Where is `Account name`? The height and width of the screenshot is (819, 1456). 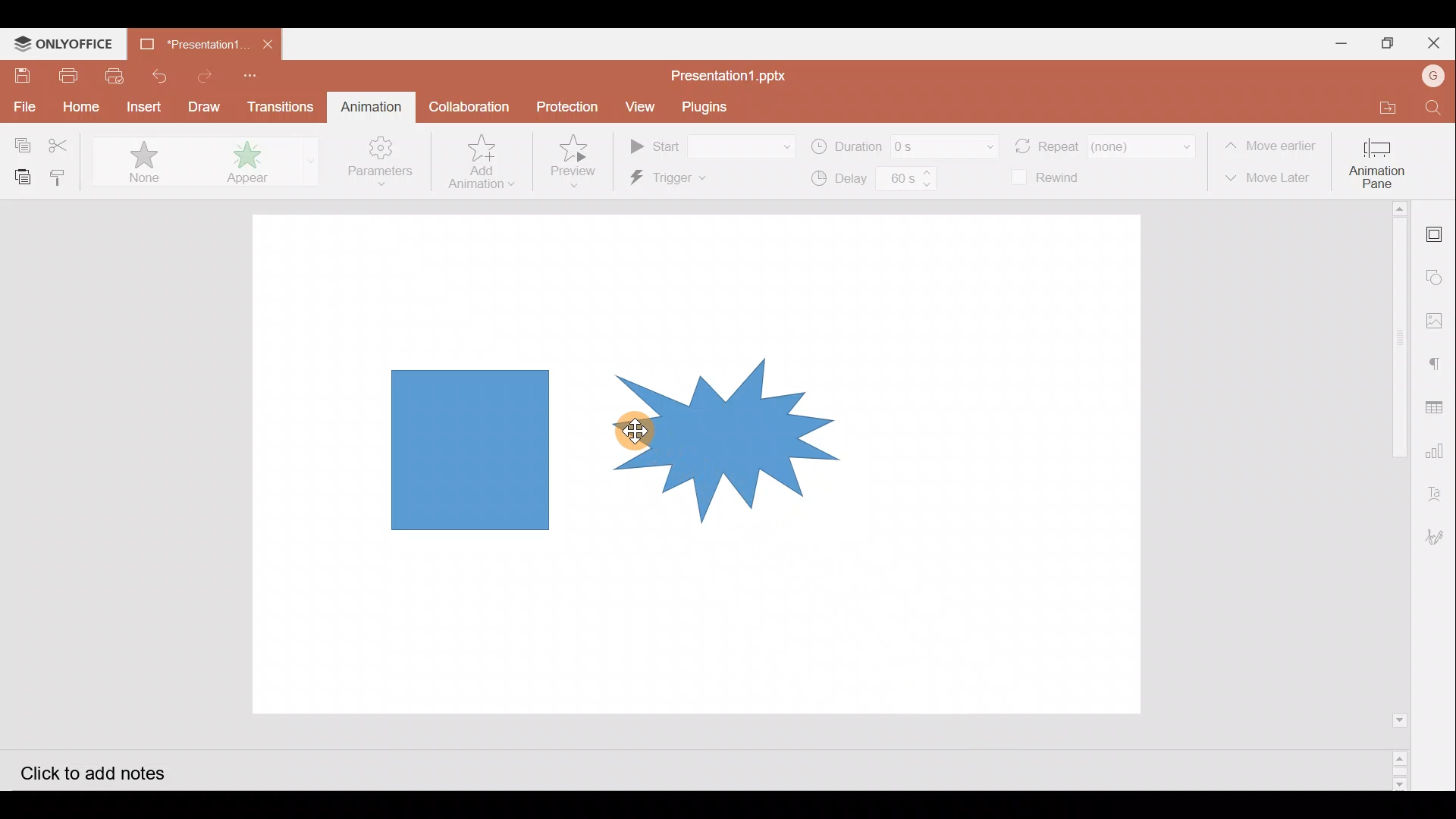 Account name is located at coordinates (1428, 76).